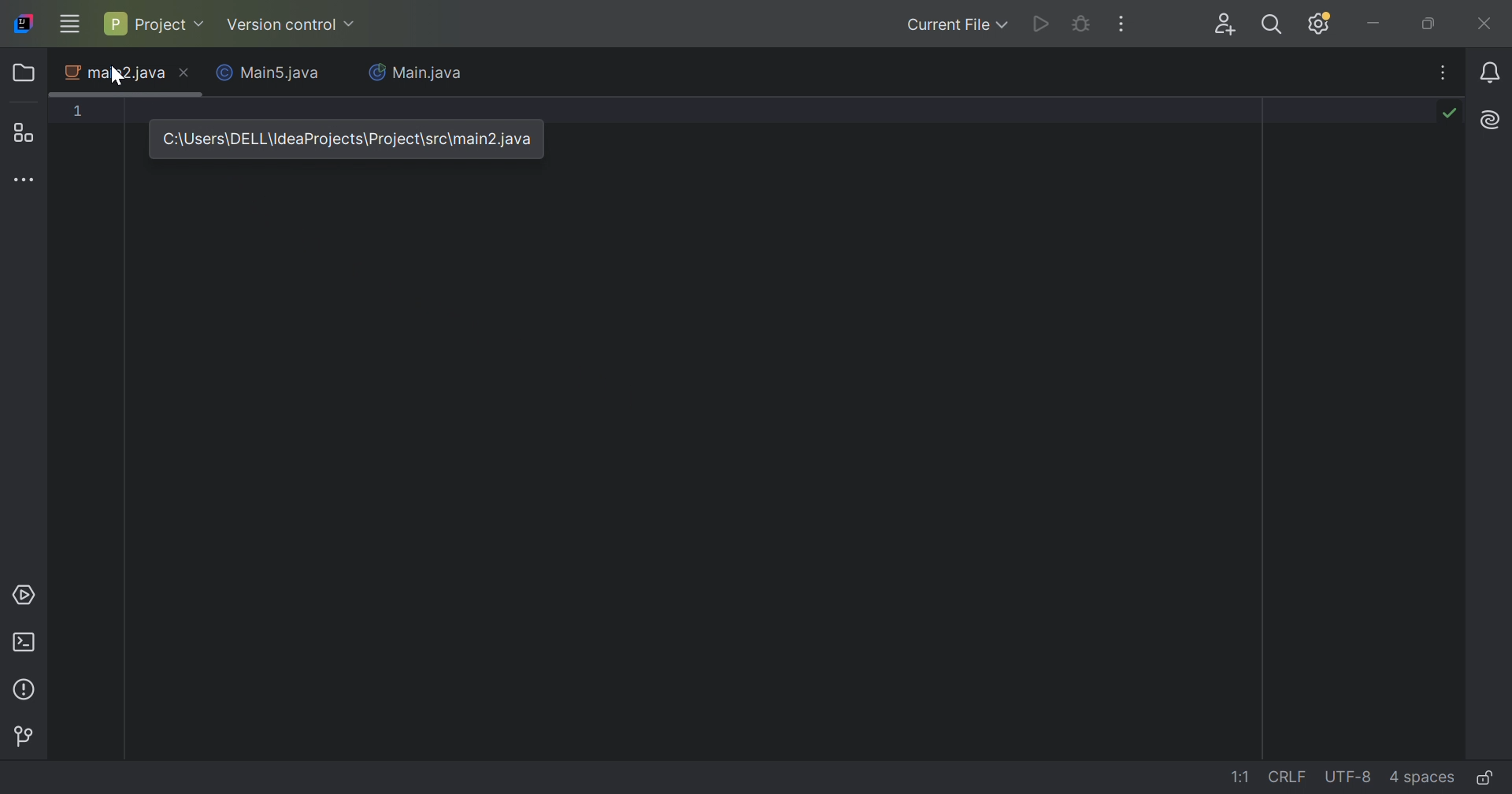 This screenshot has width=1512, height=794. Describe the element at coordinates (24, 595) in the screenshot. I see `Services` at that location.